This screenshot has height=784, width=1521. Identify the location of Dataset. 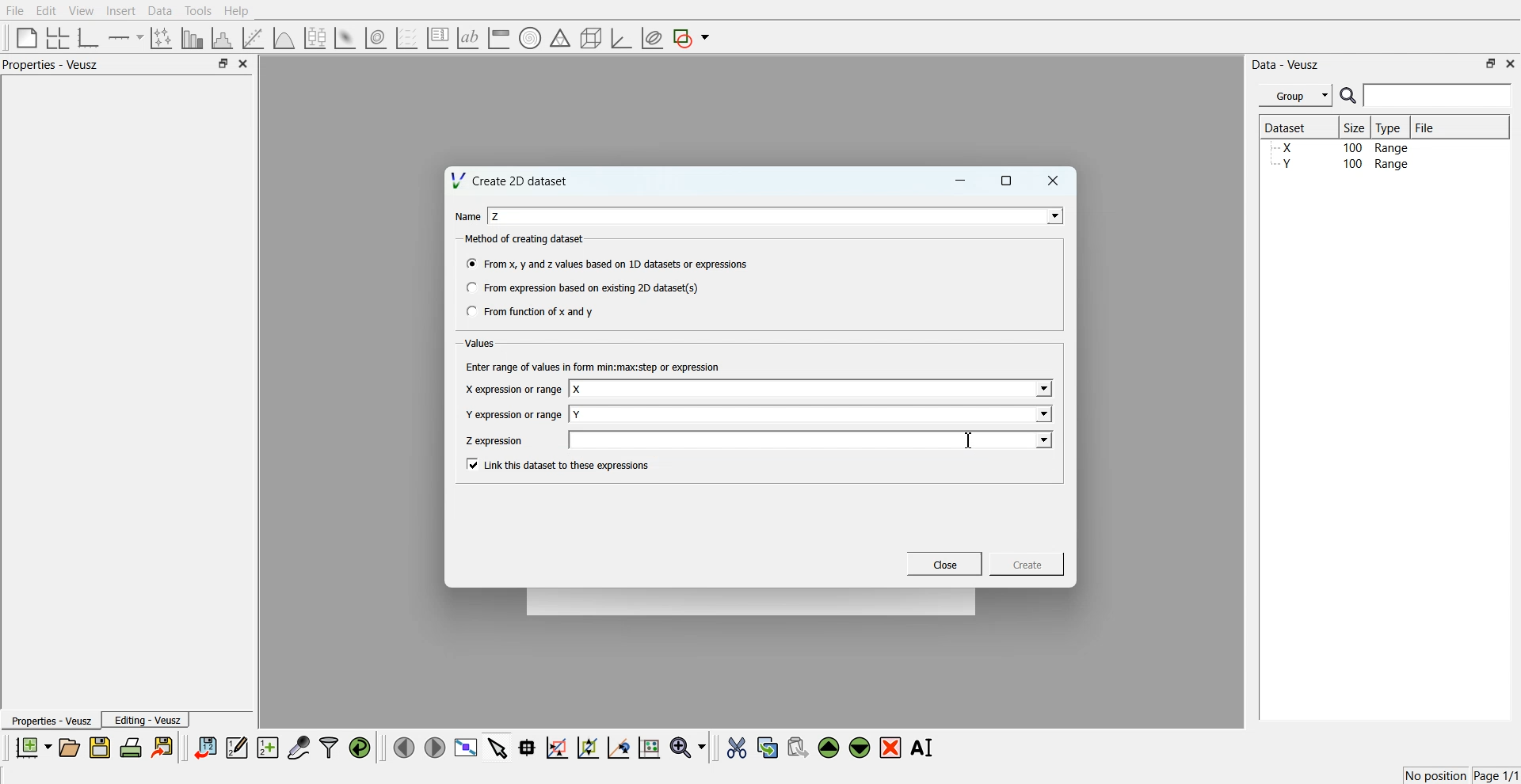
(1293, 127).